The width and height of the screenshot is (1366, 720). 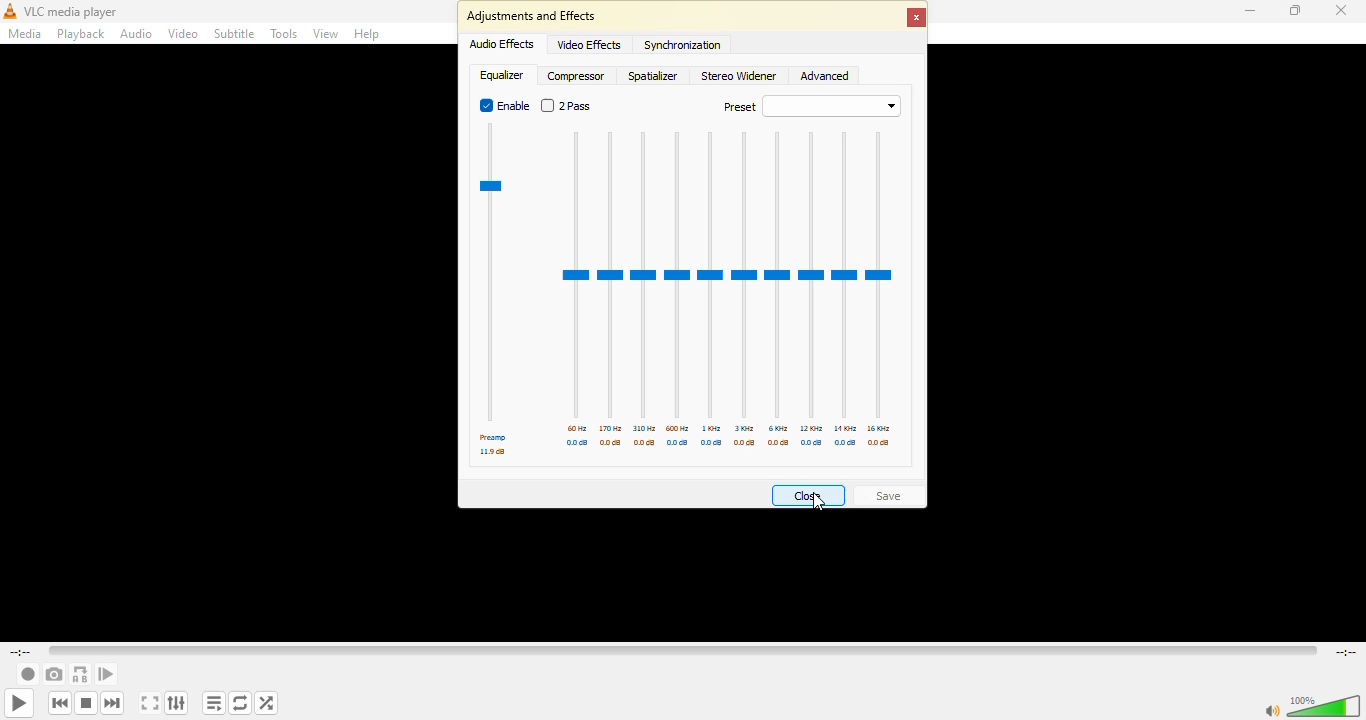 What do you see at coordinates (878, 443) in the screenshot?
I see `db` at bounding box center [878, 443].